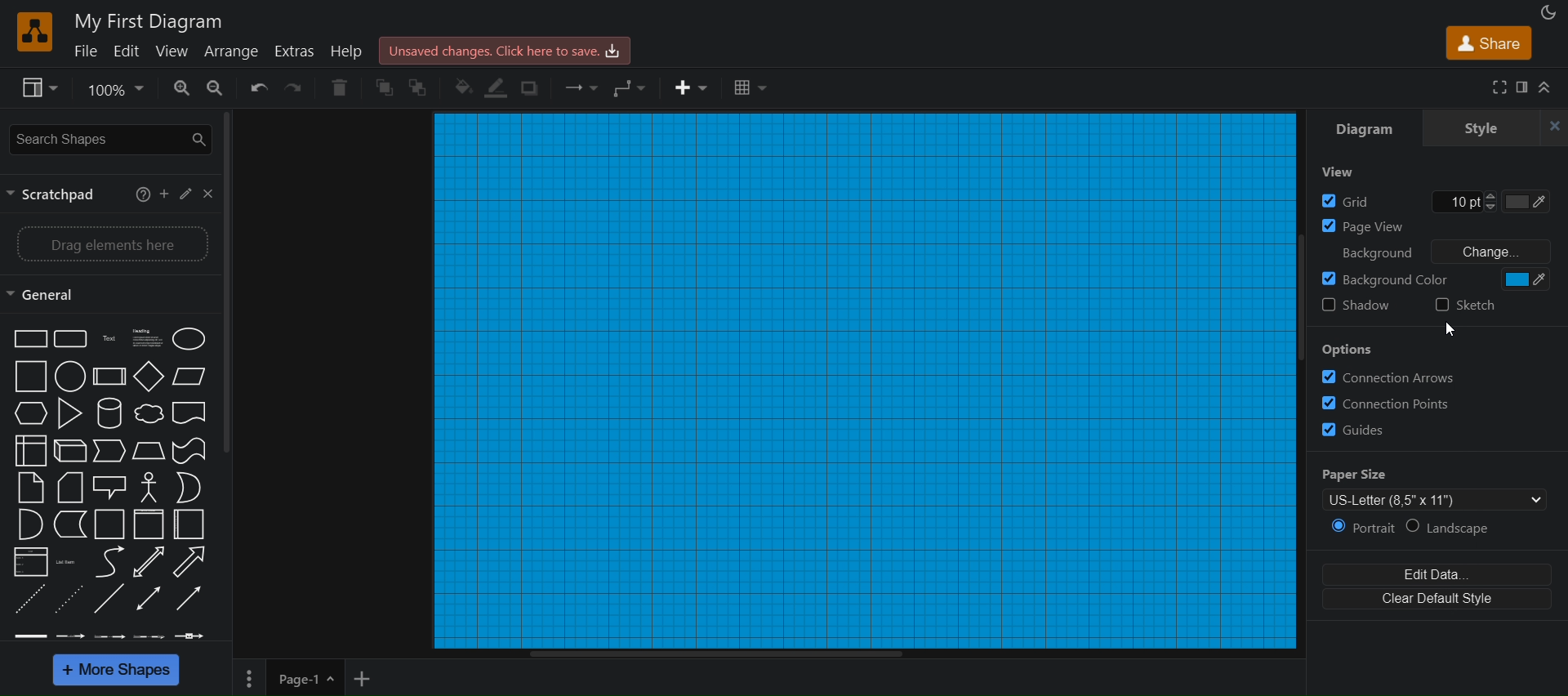 The width and height of the screenshot is (1568, 696). Describe the element at coordinates (287, 677) in the screenshot. I see `page 1` at that location.